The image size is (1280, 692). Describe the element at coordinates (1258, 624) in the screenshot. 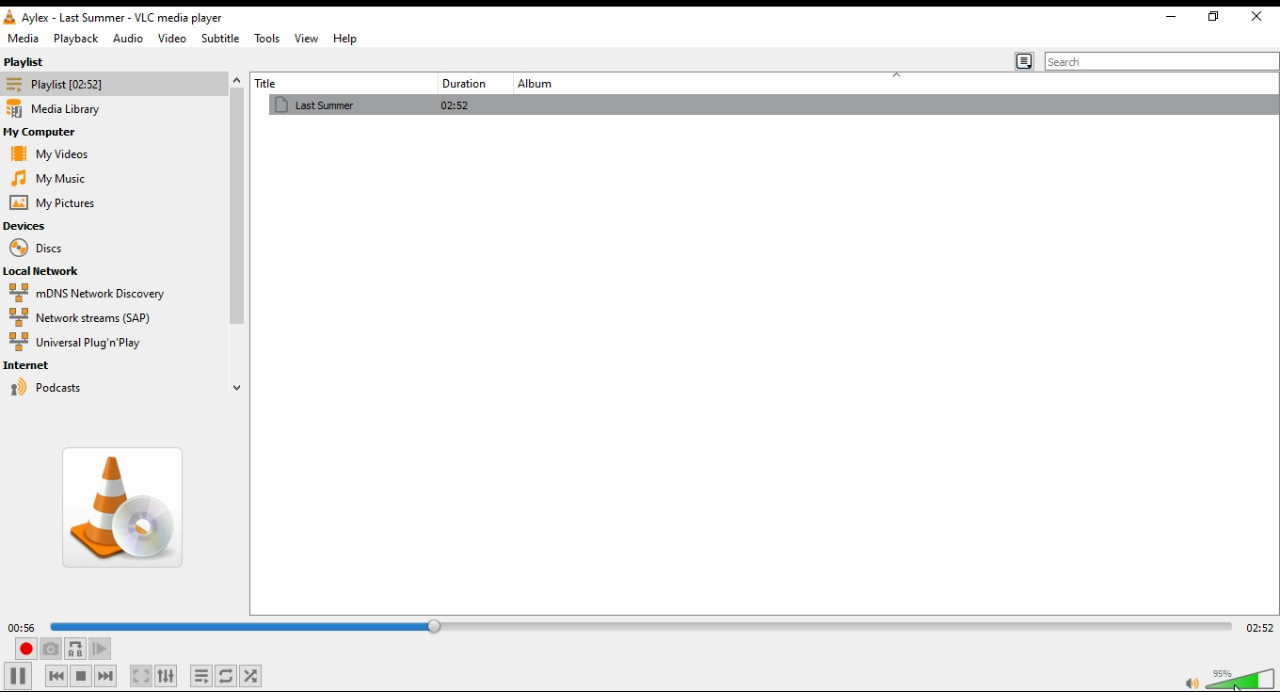

I see `02:52` at that location.